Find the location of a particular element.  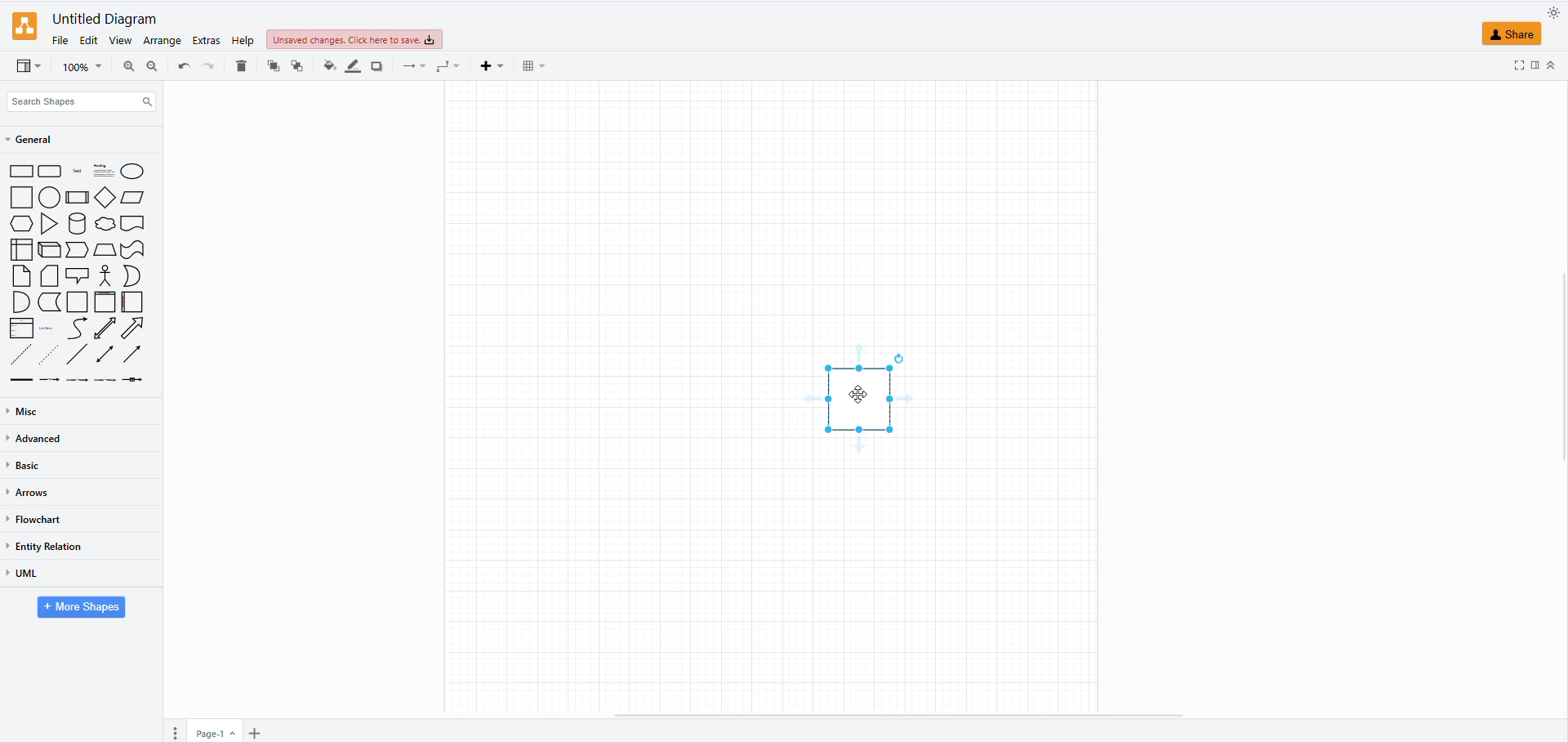

entity relation is located at coordinates (49, 546).